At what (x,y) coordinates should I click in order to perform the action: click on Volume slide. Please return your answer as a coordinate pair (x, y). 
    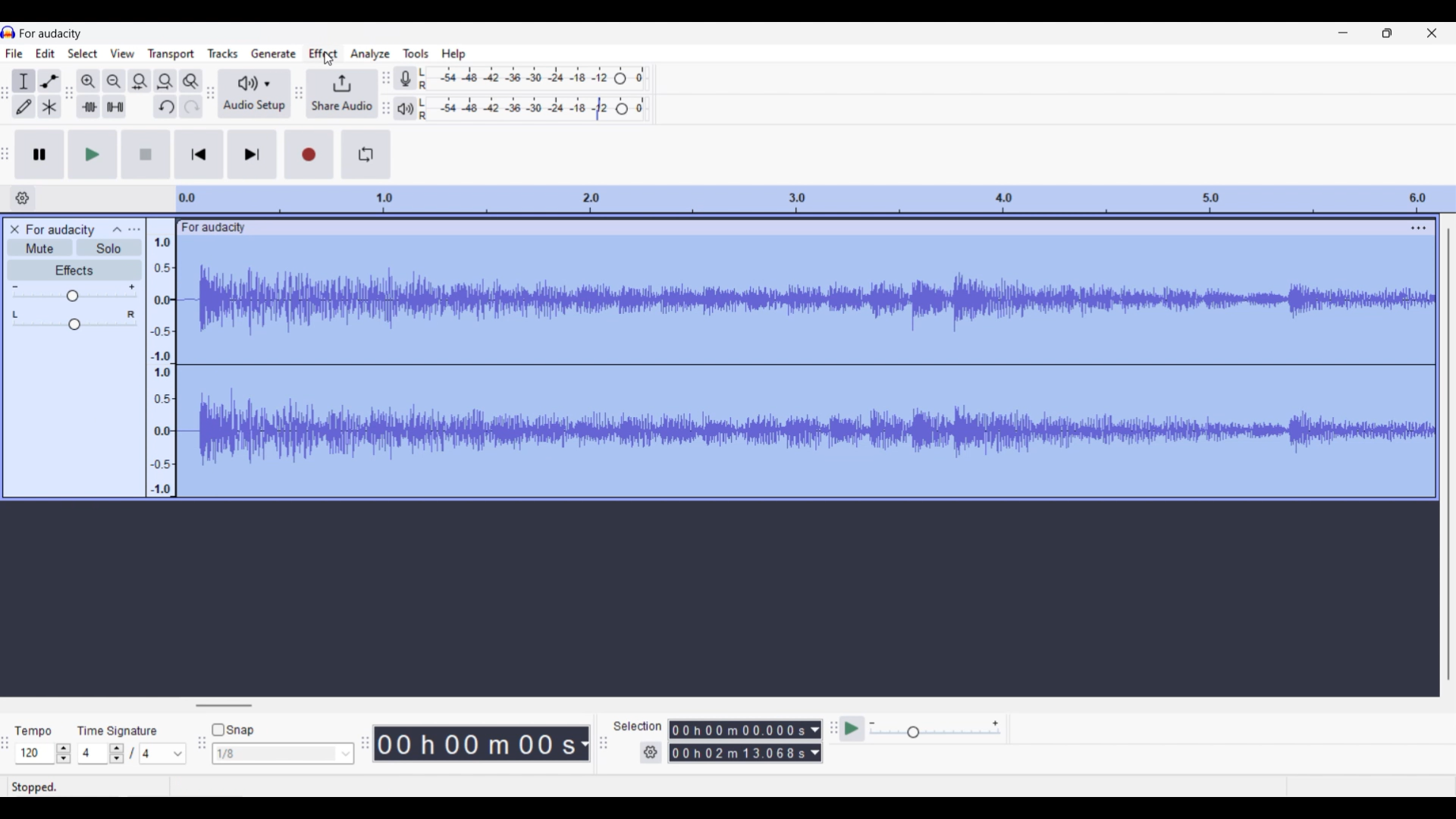
    Looking at the image, I should click on (74, 293).